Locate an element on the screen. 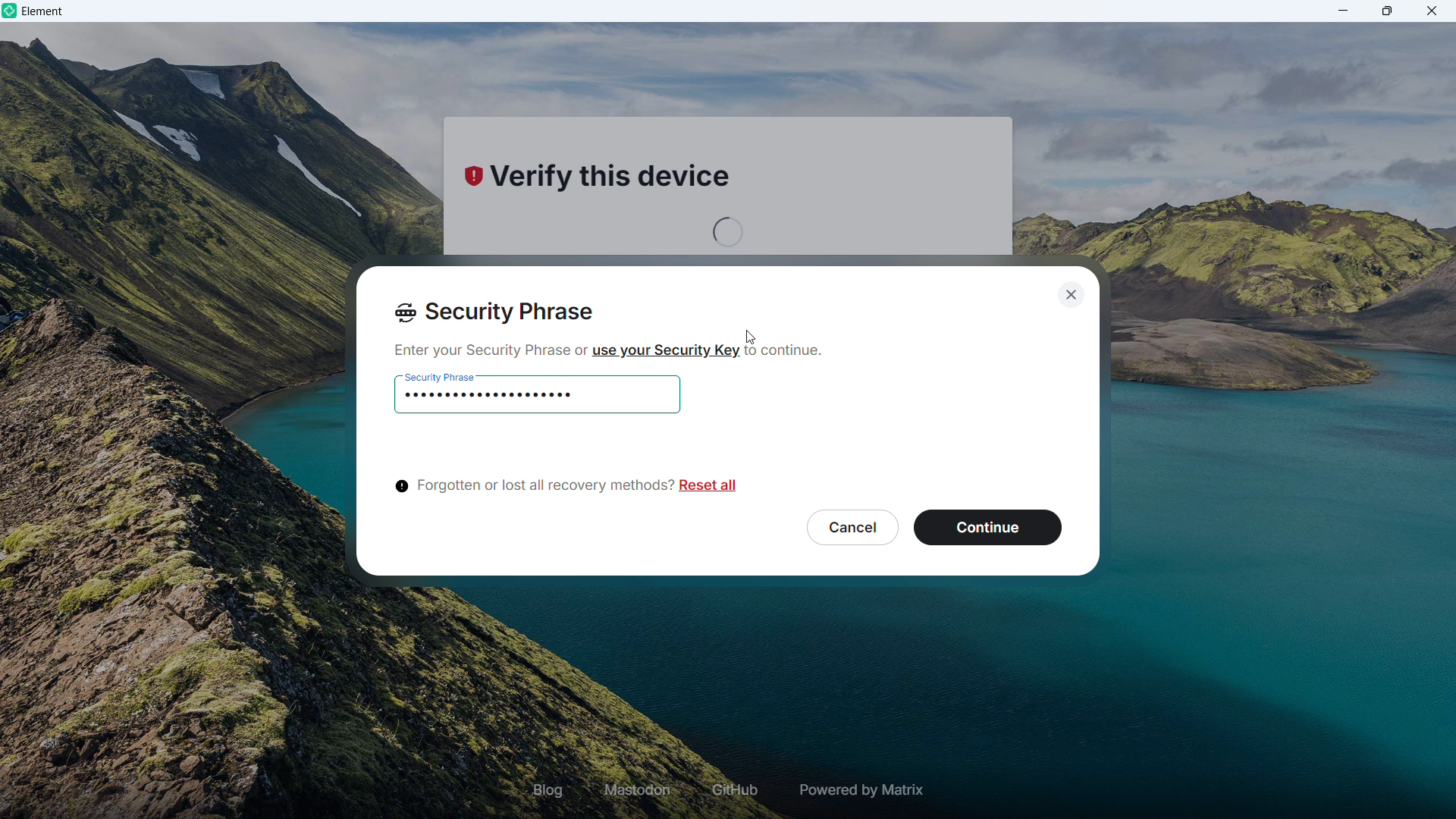 The height and width of the screenshot is (819, 1456). Blog  is located at coordinates (548, 789).